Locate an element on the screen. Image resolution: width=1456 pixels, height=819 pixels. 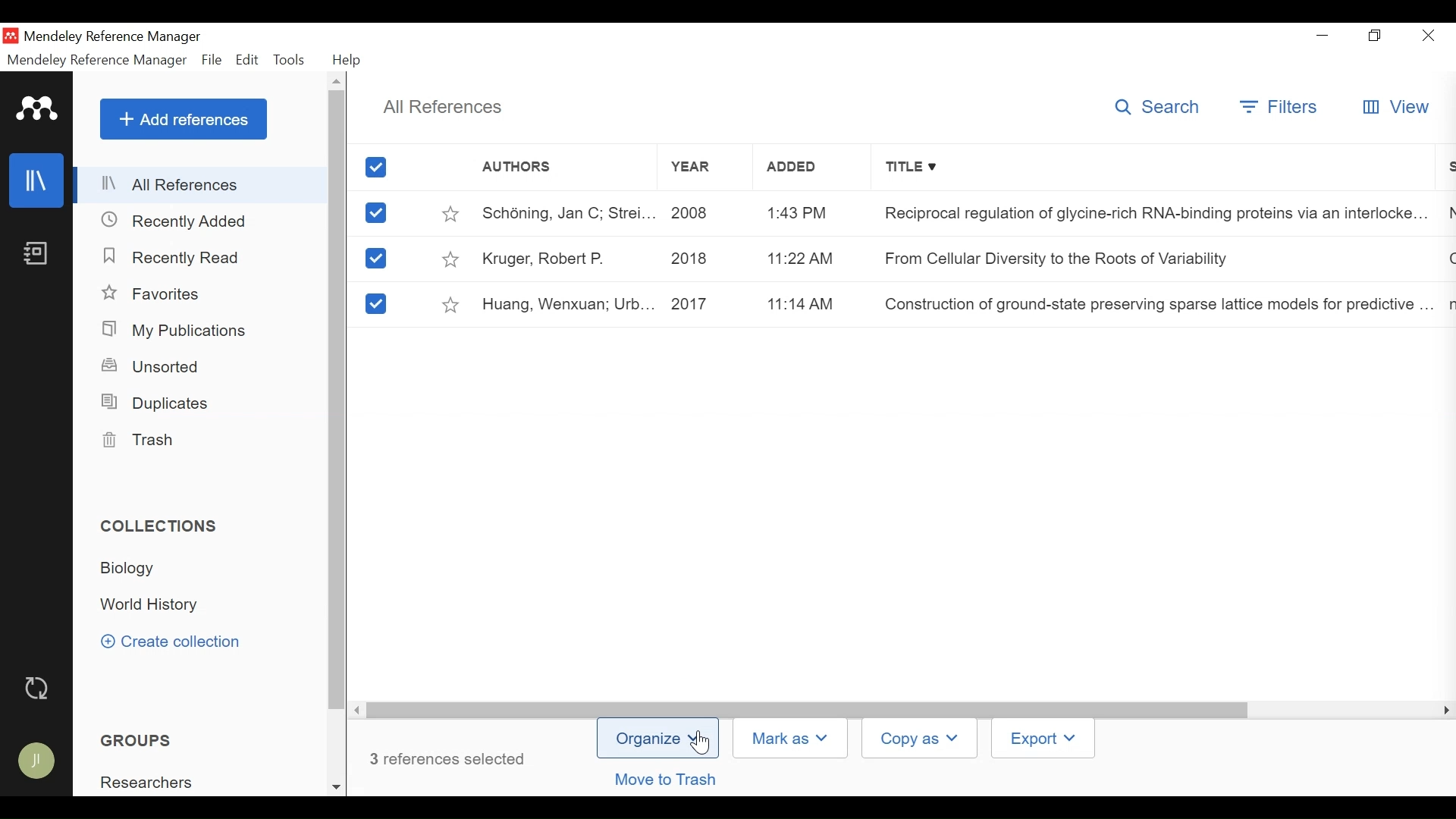
Journal Title is located at coordinates (1149, 259).